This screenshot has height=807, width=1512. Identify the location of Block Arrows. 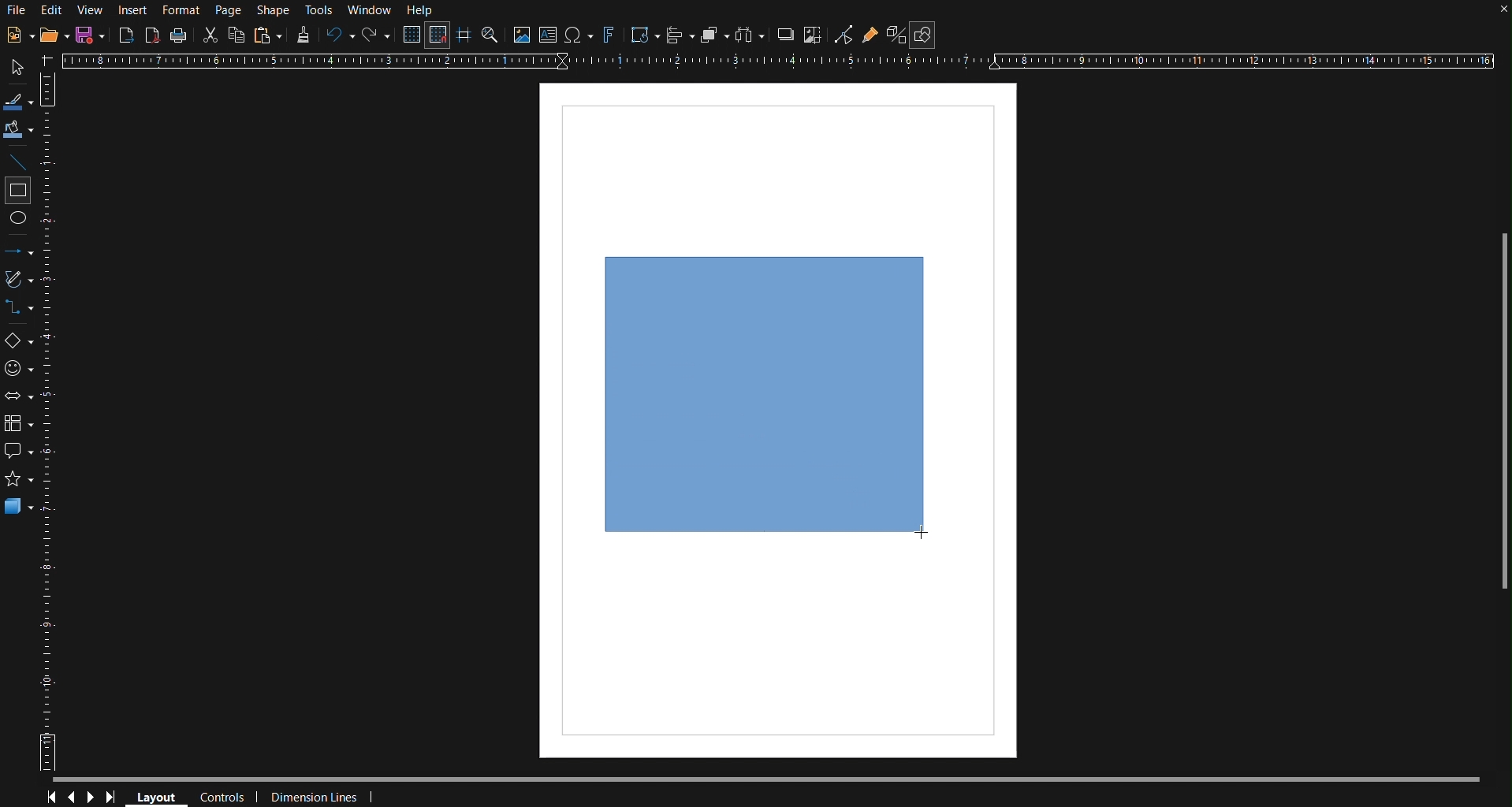
(20, 398).